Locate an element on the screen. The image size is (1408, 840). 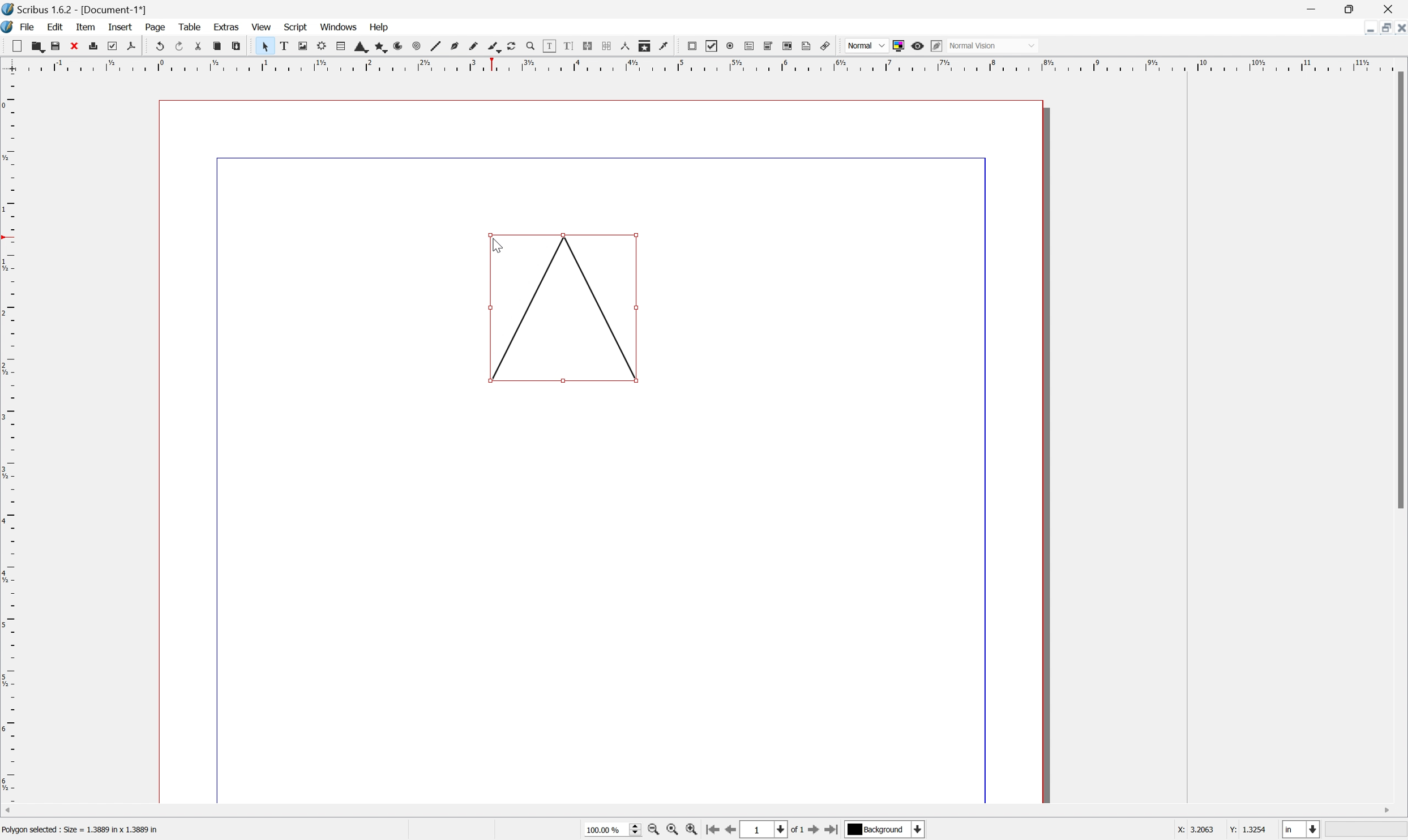
Bezier curve is located at coordinates (453, 45).